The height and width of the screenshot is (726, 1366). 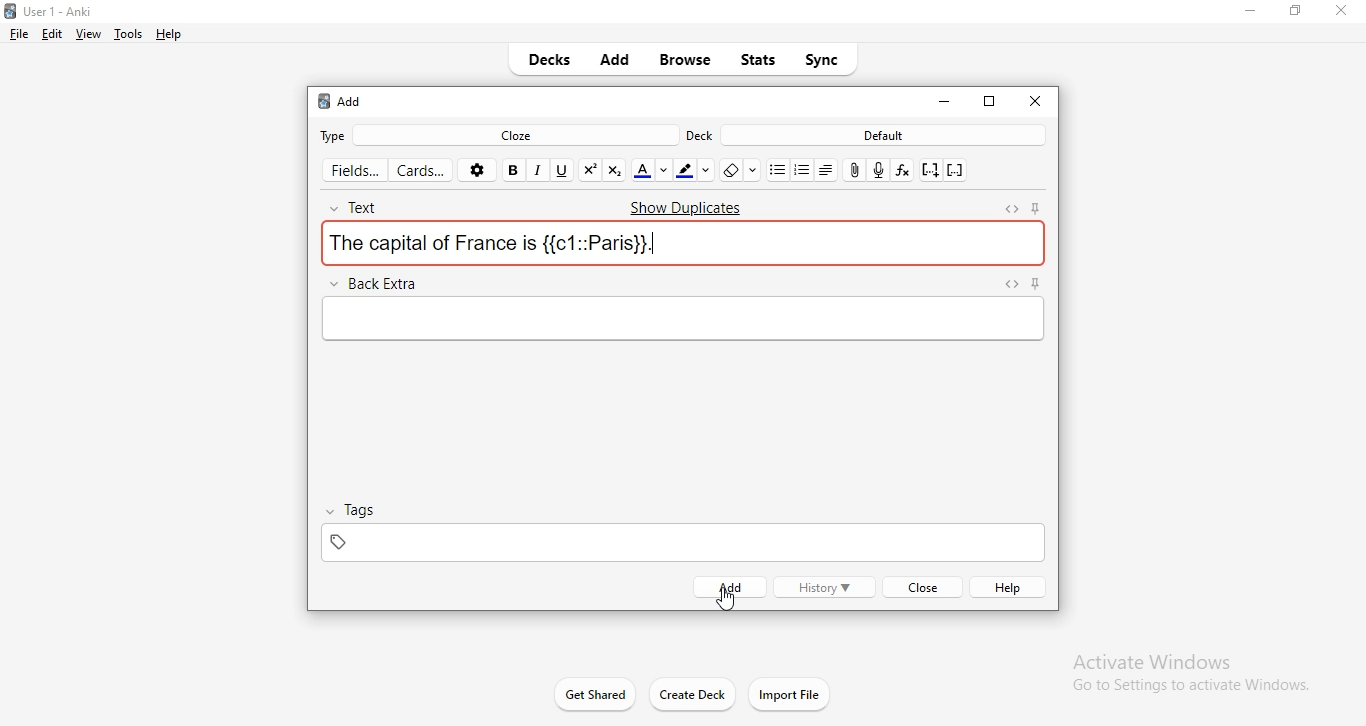 I want to click on font color, so click(x=697, y=169).